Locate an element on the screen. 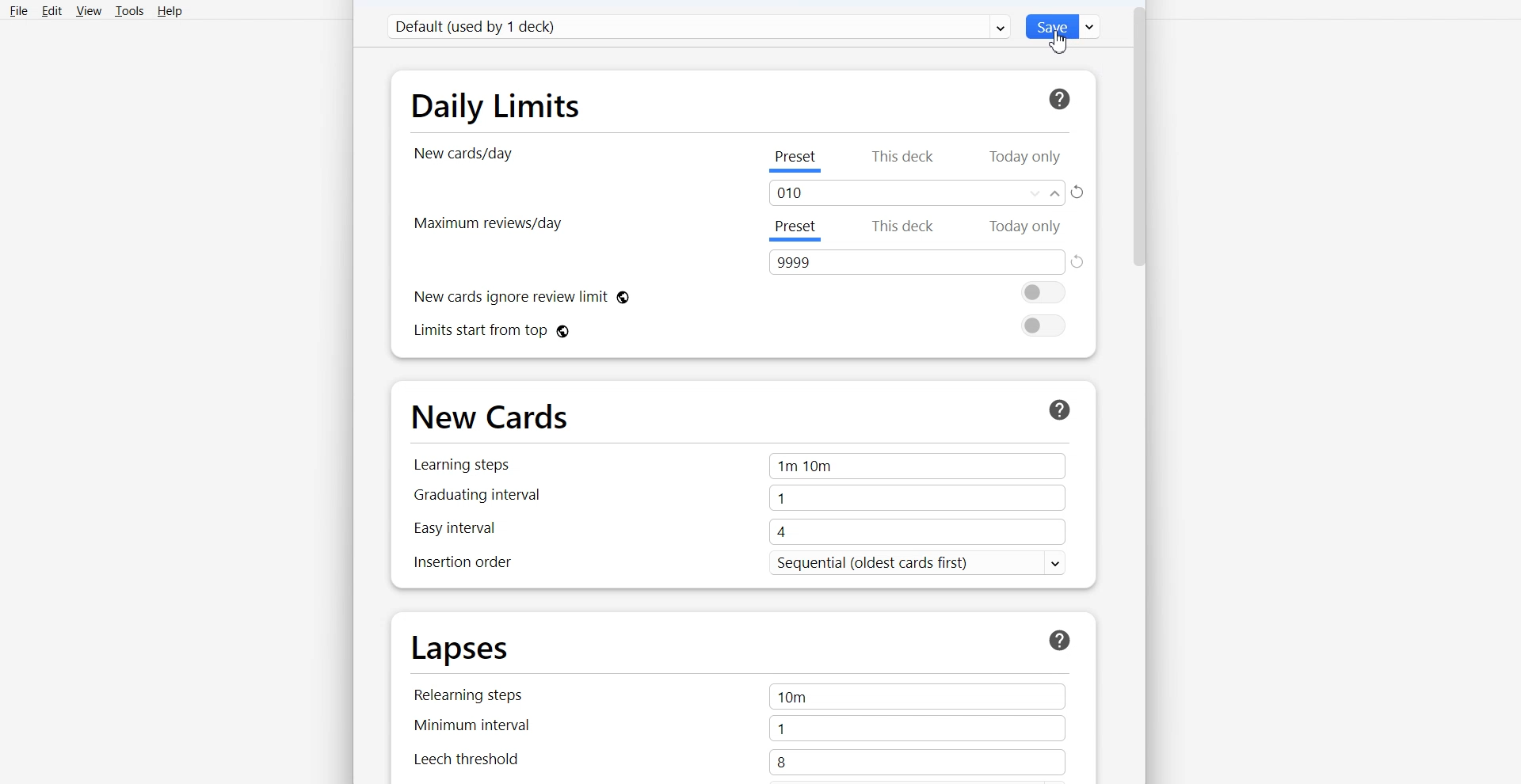  This deck is located at coordinates (905, 157).